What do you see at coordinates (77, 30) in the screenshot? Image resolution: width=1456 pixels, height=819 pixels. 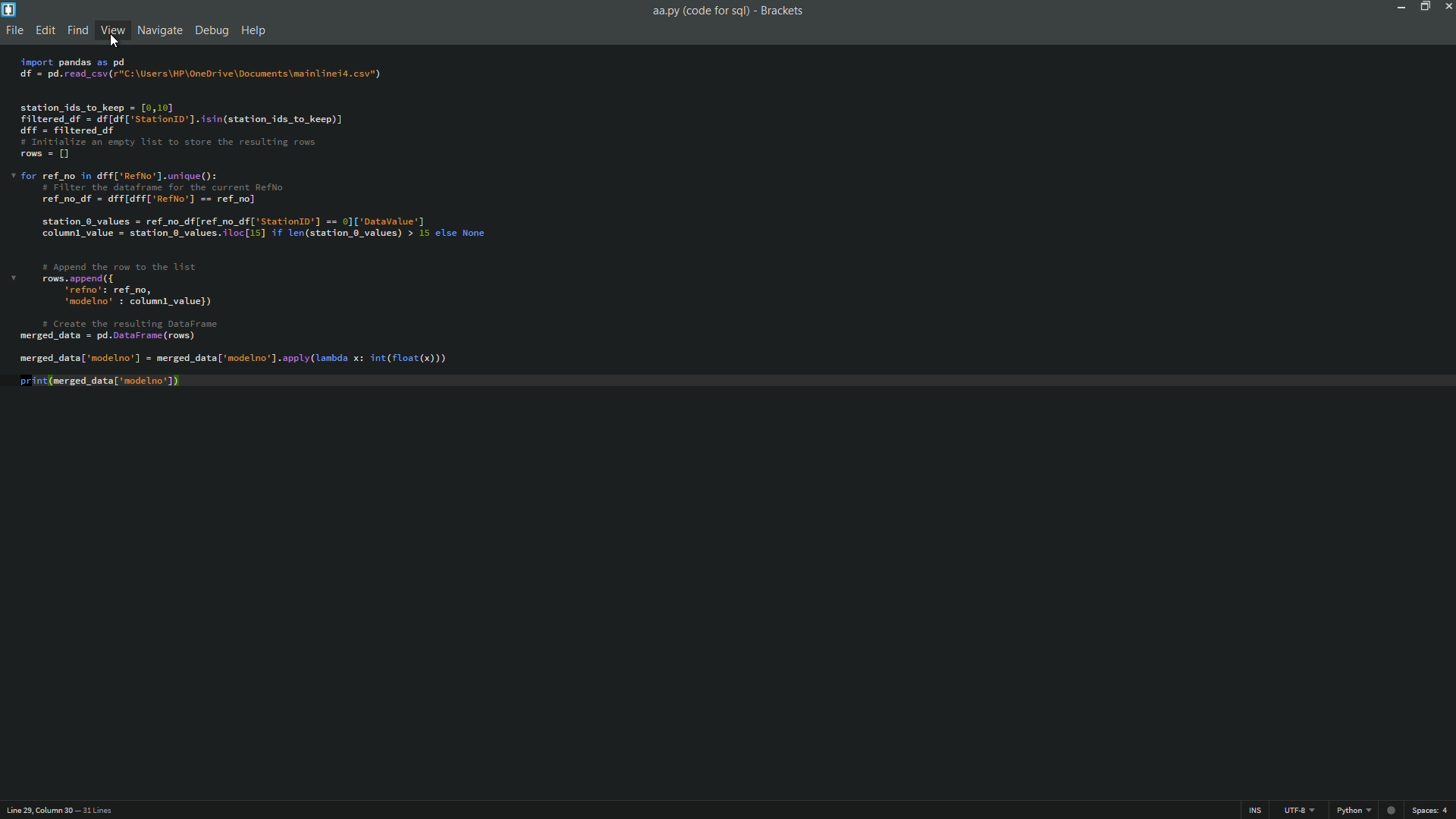 I see `find menu` at bounding box center [77, 30].